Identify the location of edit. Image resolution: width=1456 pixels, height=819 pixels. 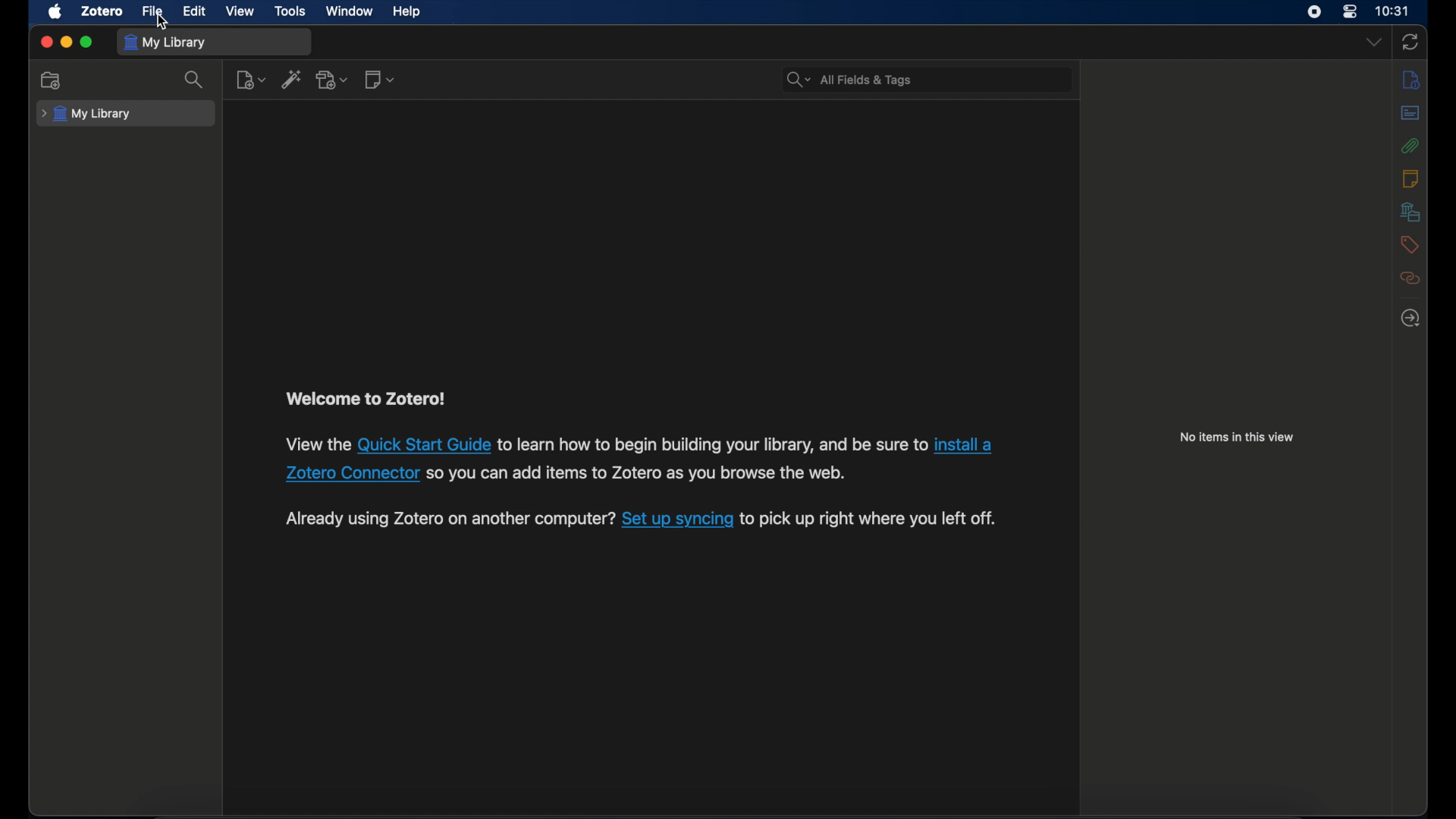
(196, 12).